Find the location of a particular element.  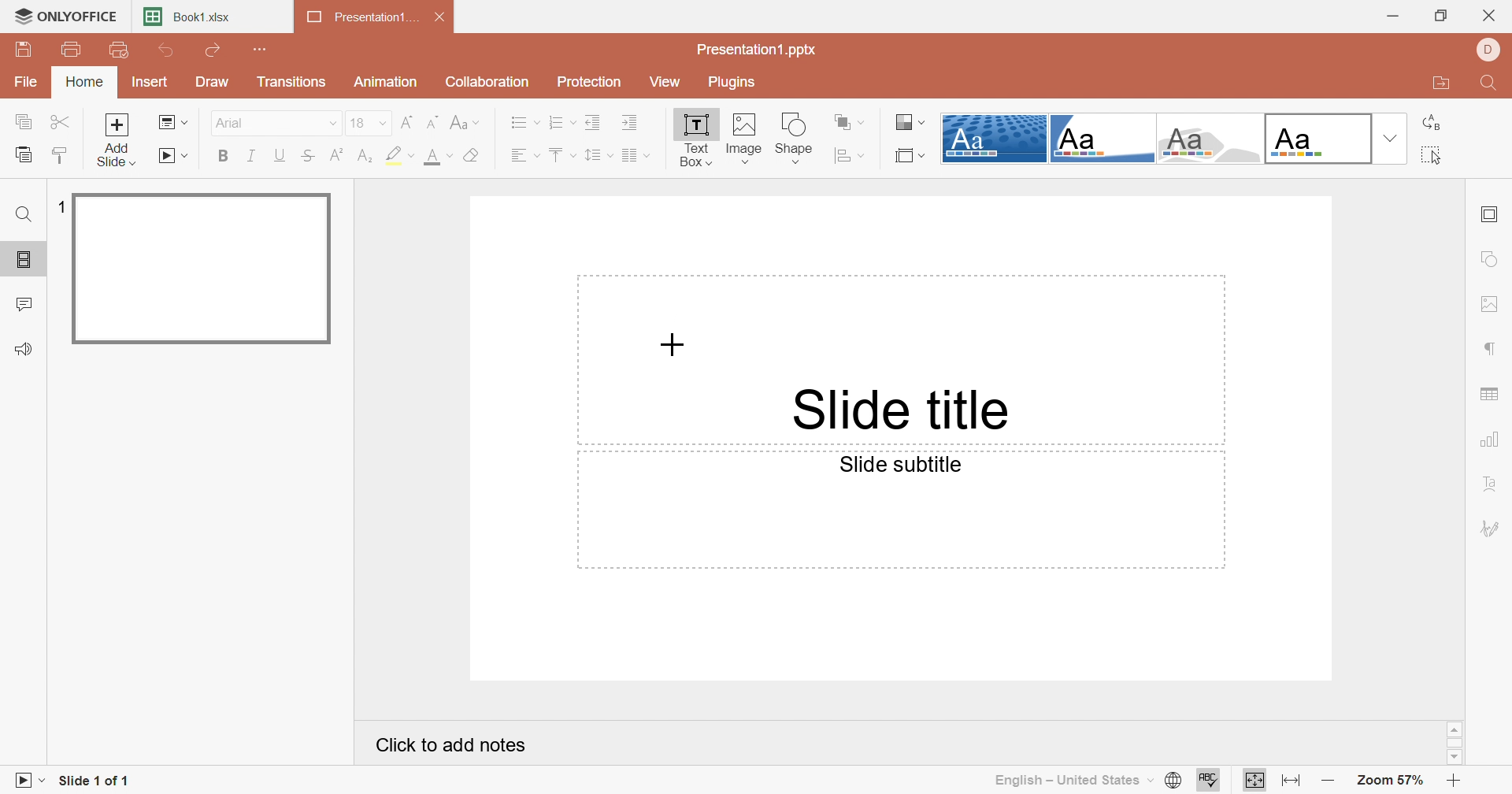

Cursor is located at coordinates (672, 345).